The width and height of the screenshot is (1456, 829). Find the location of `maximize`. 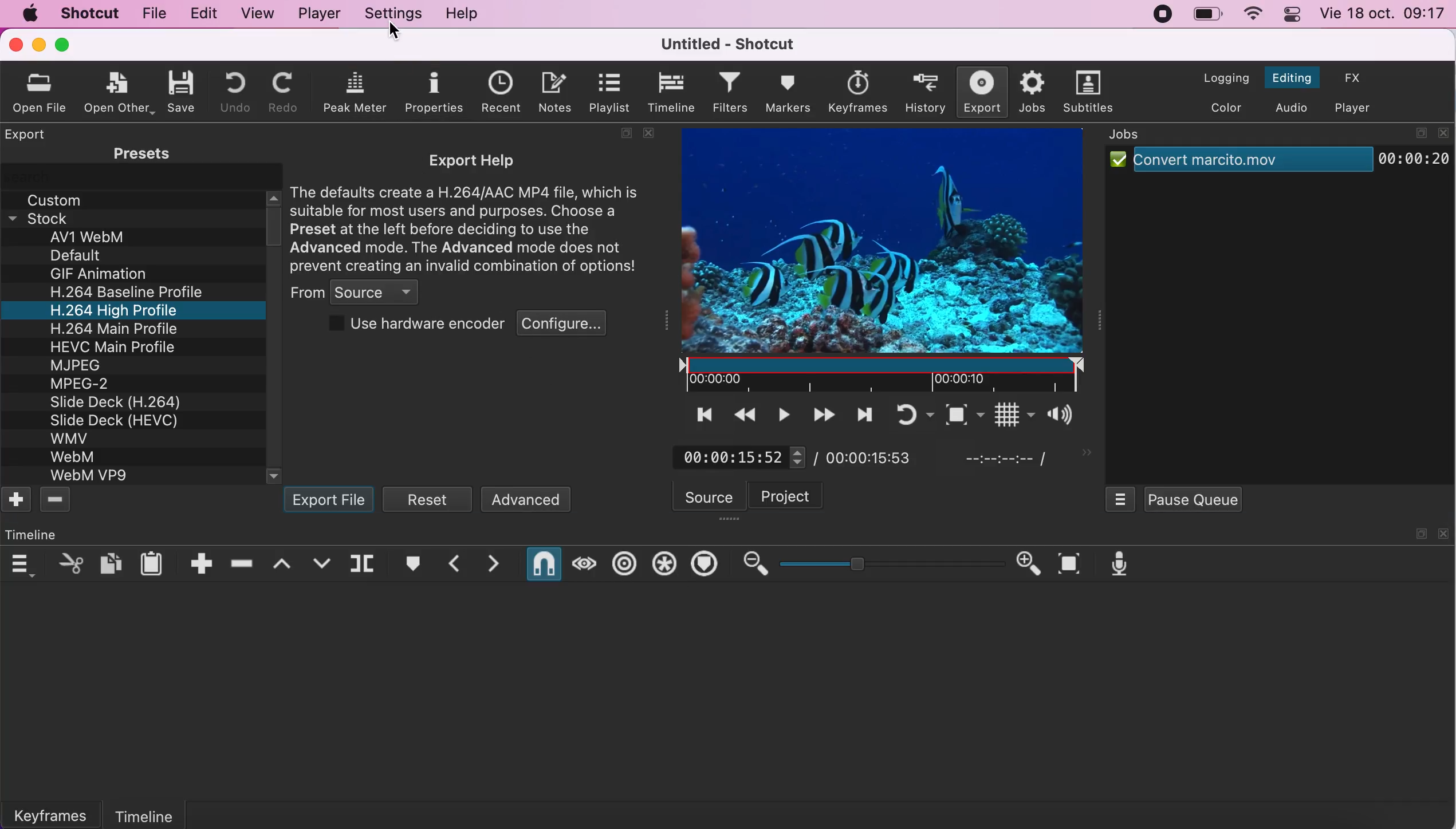

maximize is located at coordinates (1419, 132).